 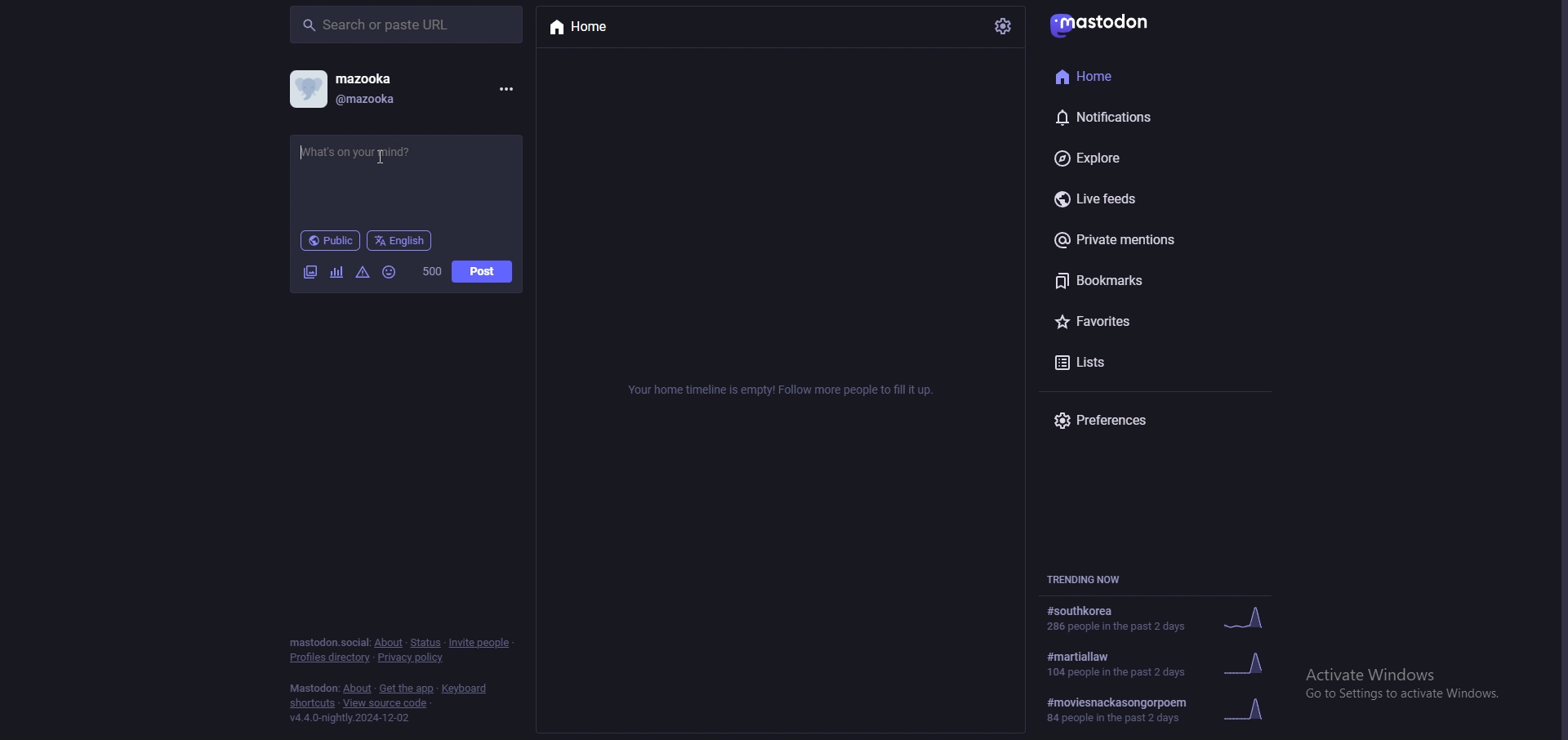 I want to click on menu, so click(x=505, y=89).